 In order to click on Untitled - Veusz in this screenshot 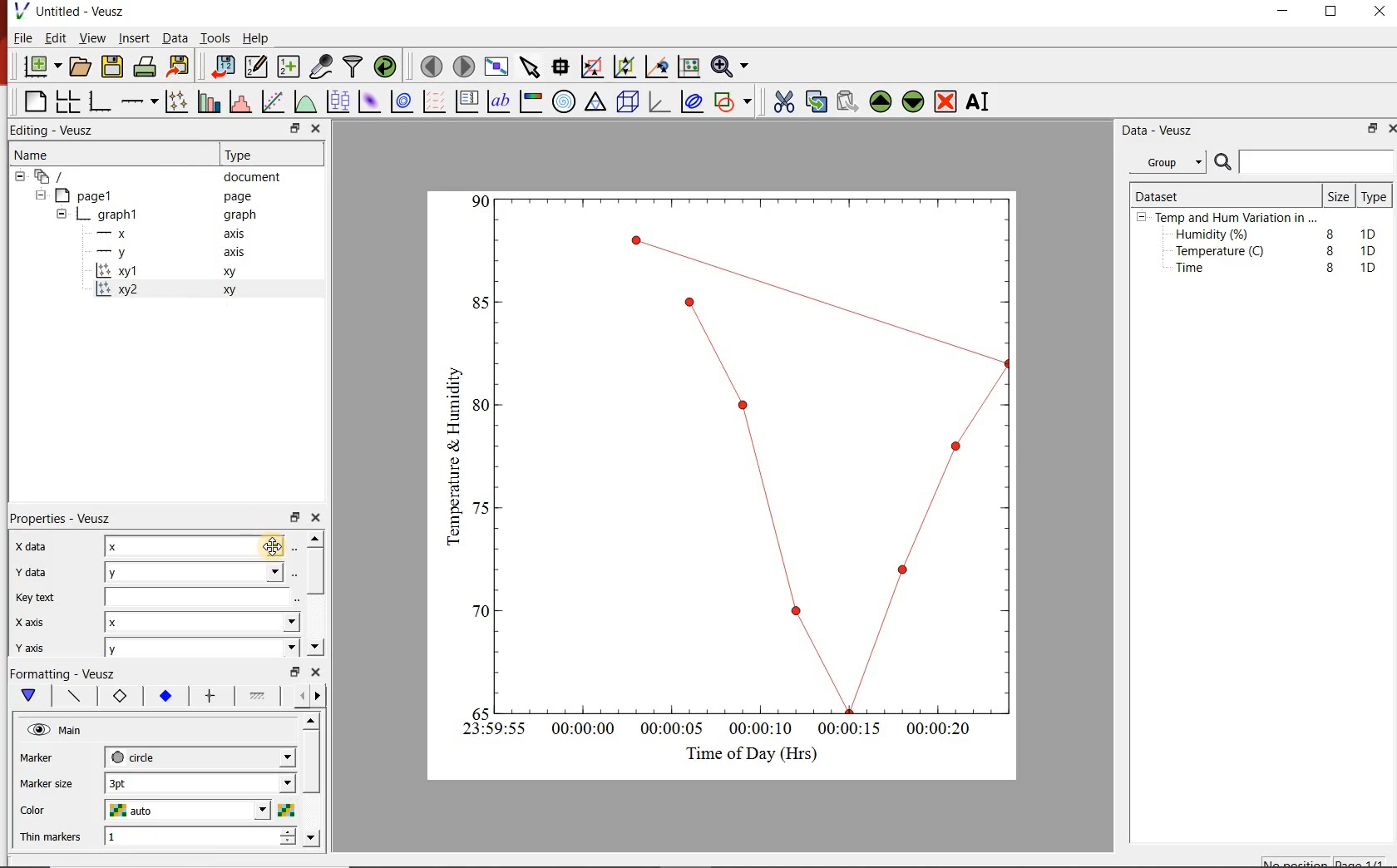, I will do `click(74, 11)`.